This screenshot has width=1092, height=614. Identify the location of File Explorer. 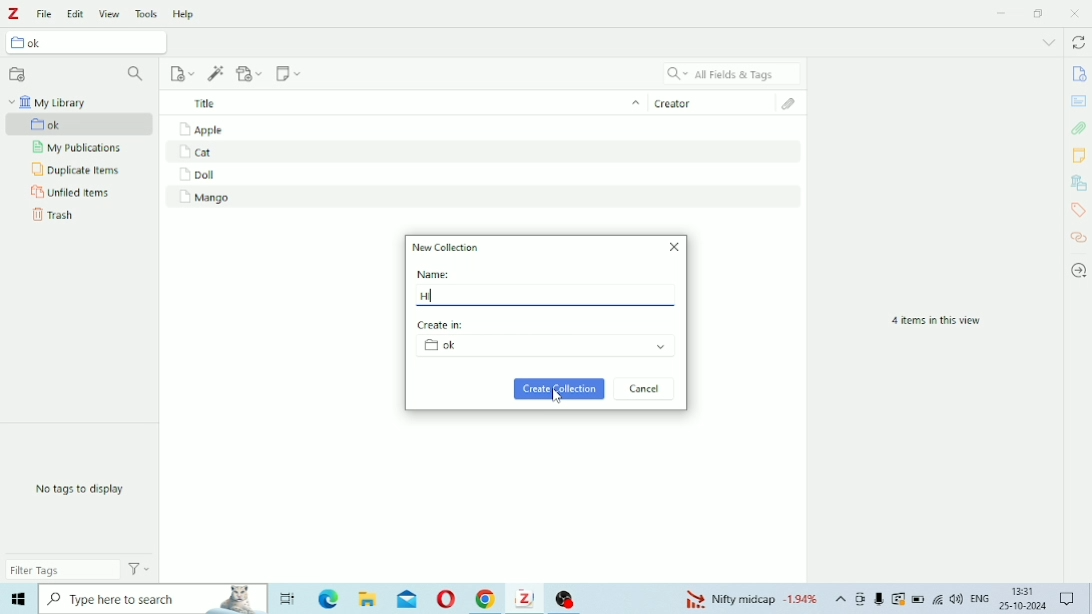
(370, 599).